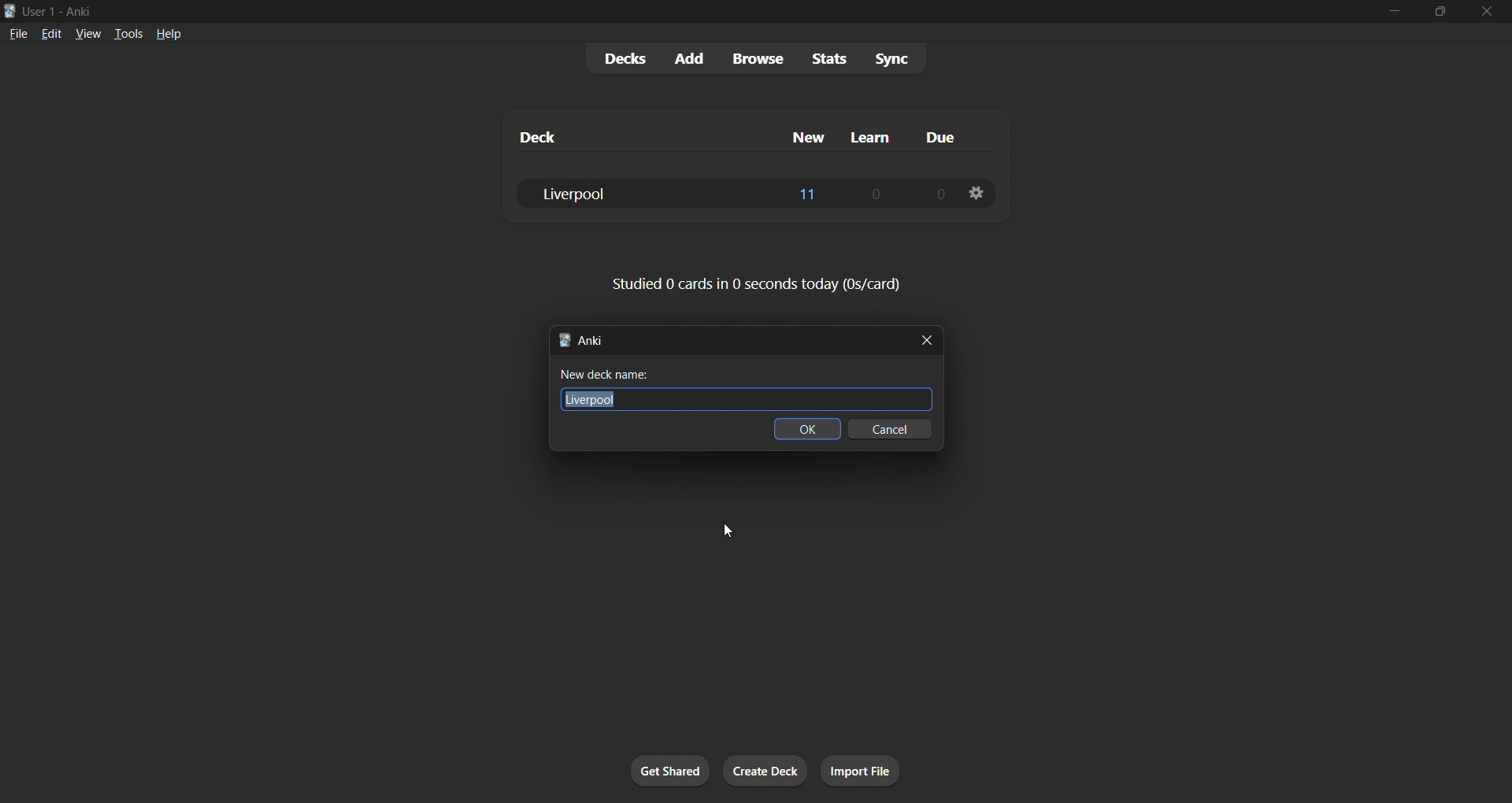  I want to click on browse, so click(754, 56).